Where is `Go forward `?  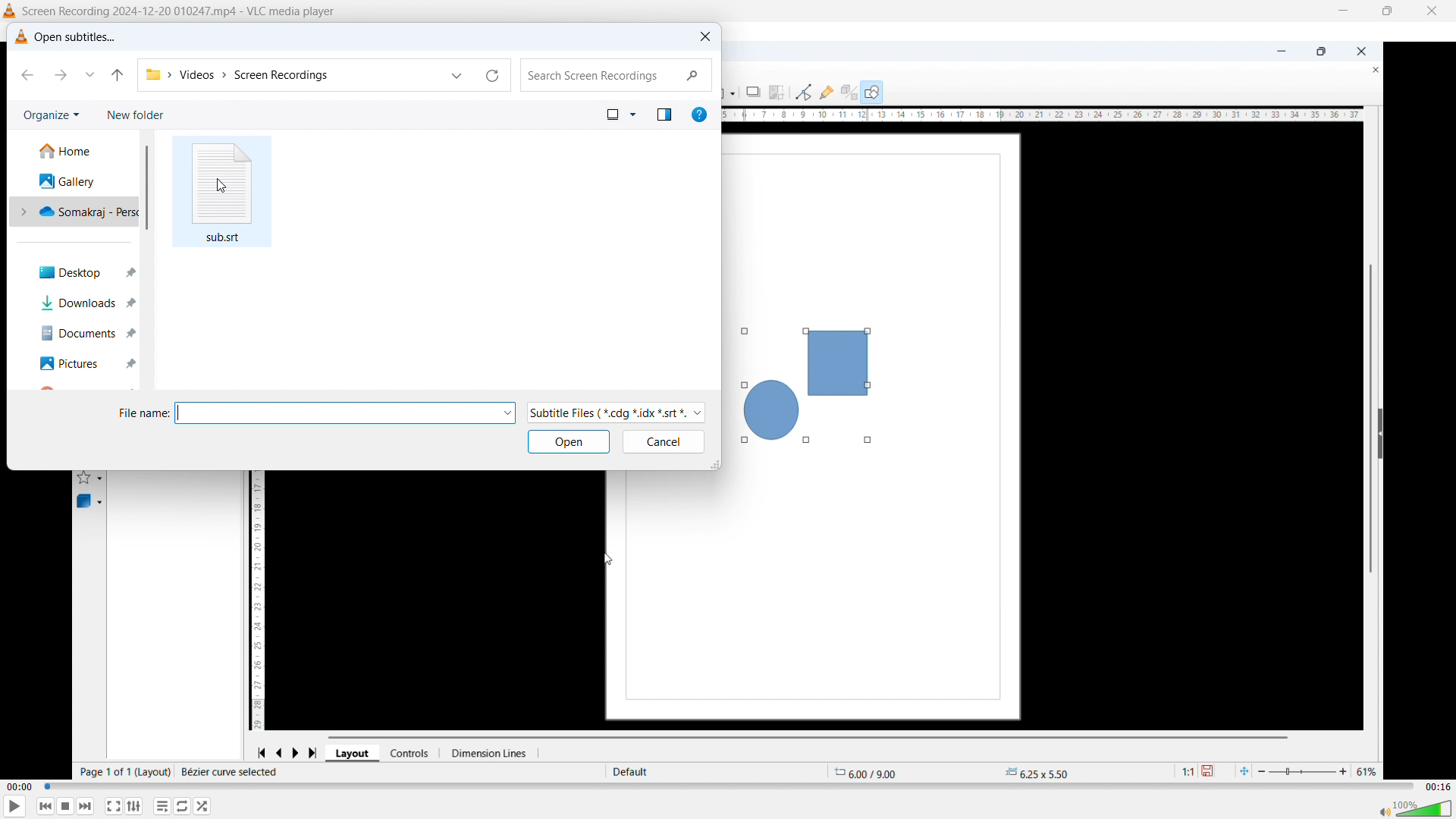 Go forward  is located at coordinates (61, 74).